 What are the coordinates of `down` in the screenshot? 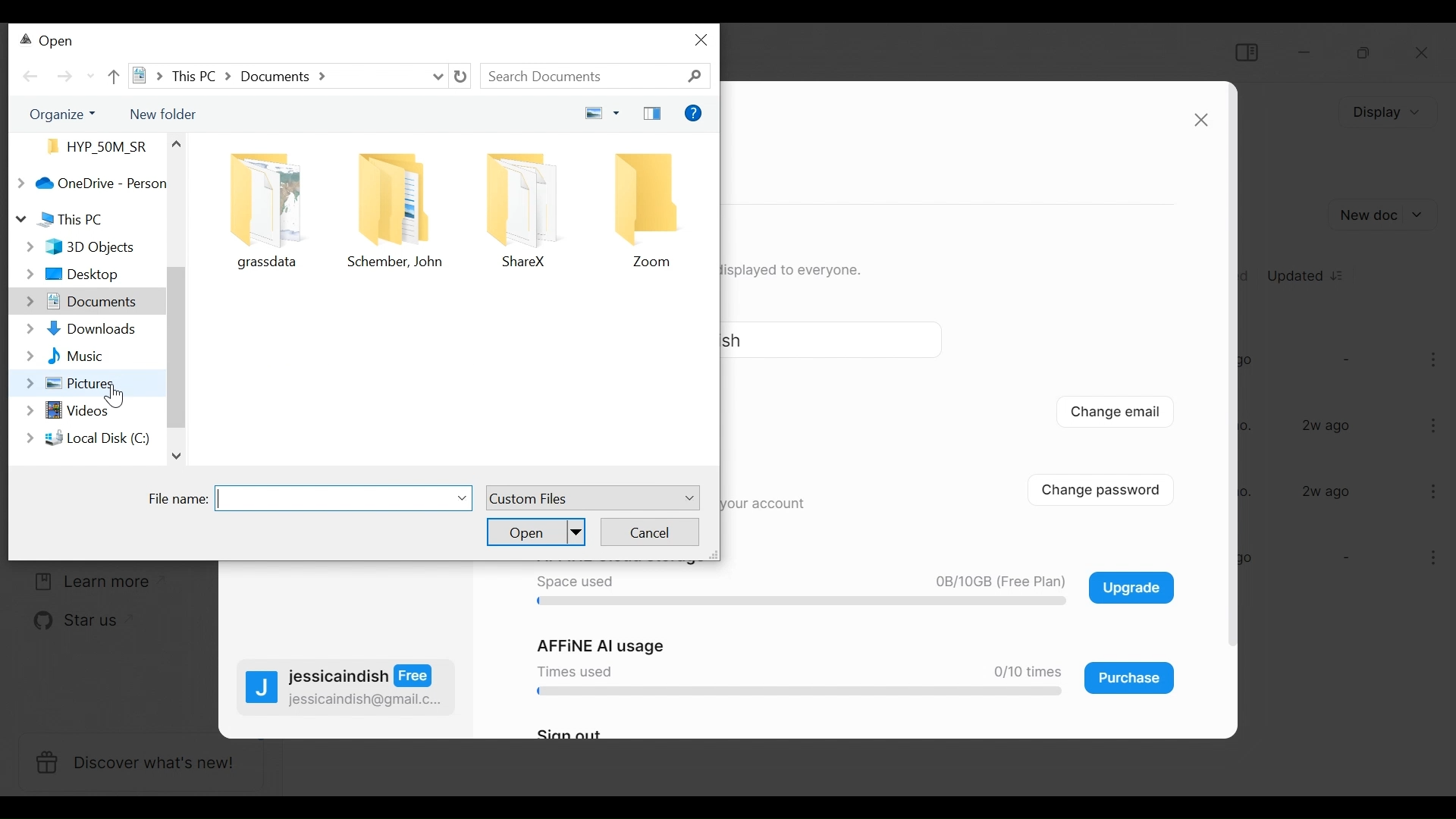 It's located at (180, 457).